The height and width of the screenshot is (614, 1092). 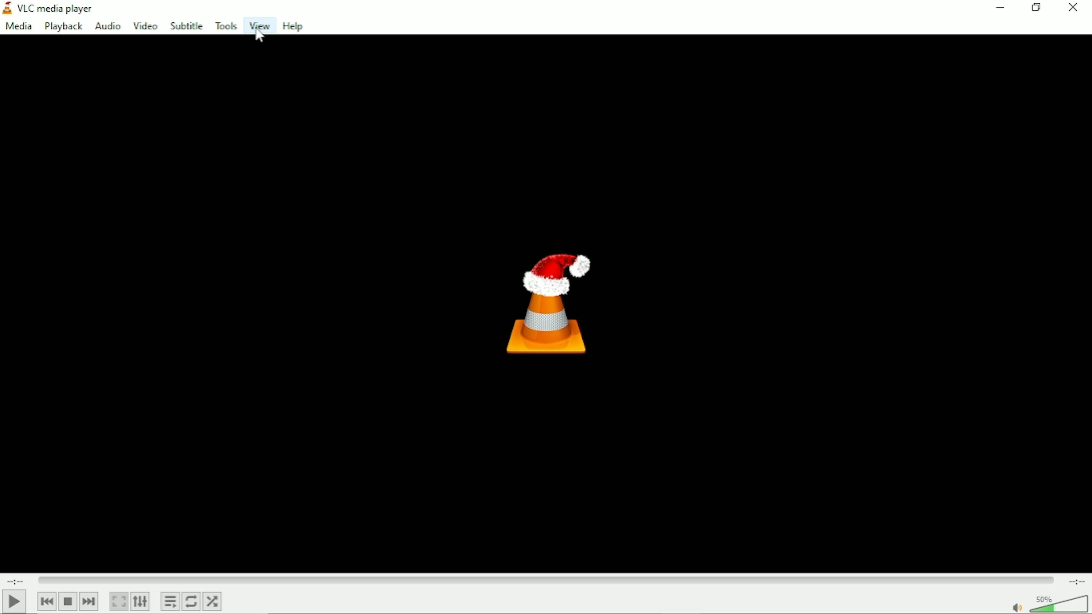 What do you see at coordinates (186, 26) in the screenshot?
I see `Subtitle` at bounding box center [186, 26].